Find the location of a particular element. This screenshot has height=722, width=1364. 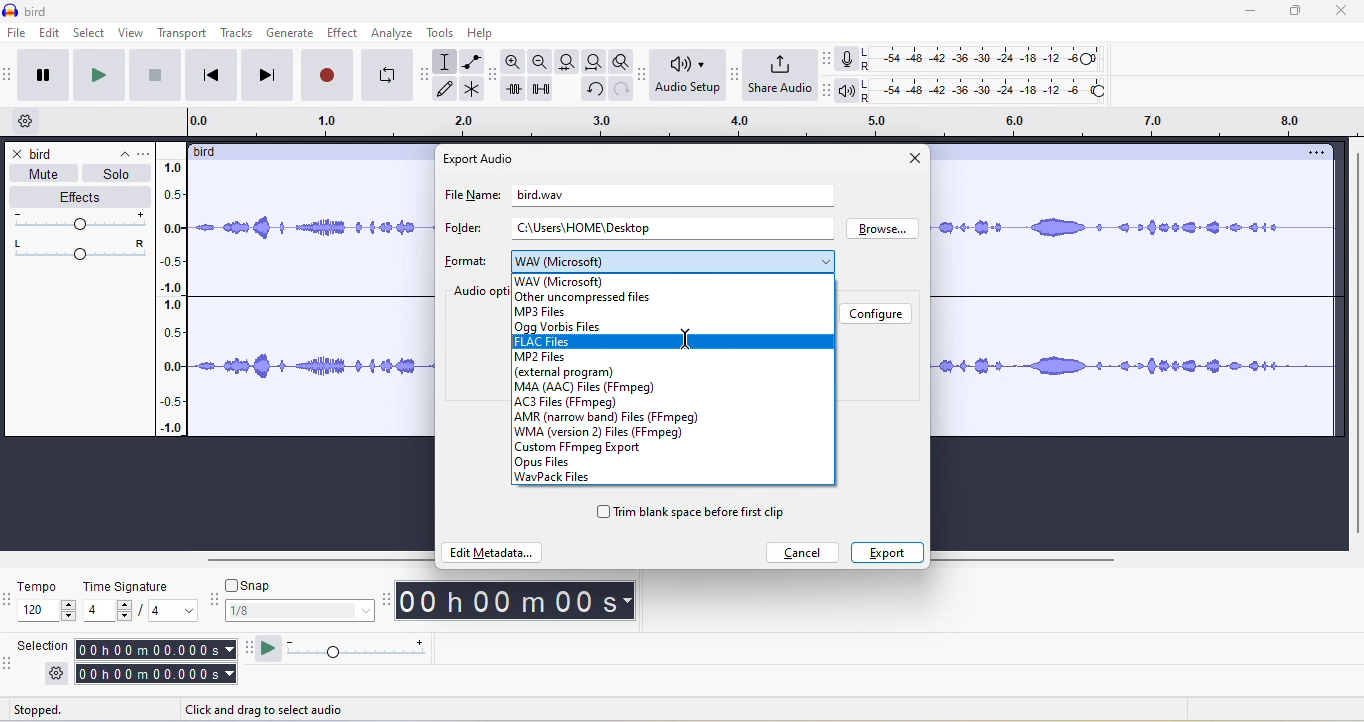

transport is located at coordinates (183, 33).